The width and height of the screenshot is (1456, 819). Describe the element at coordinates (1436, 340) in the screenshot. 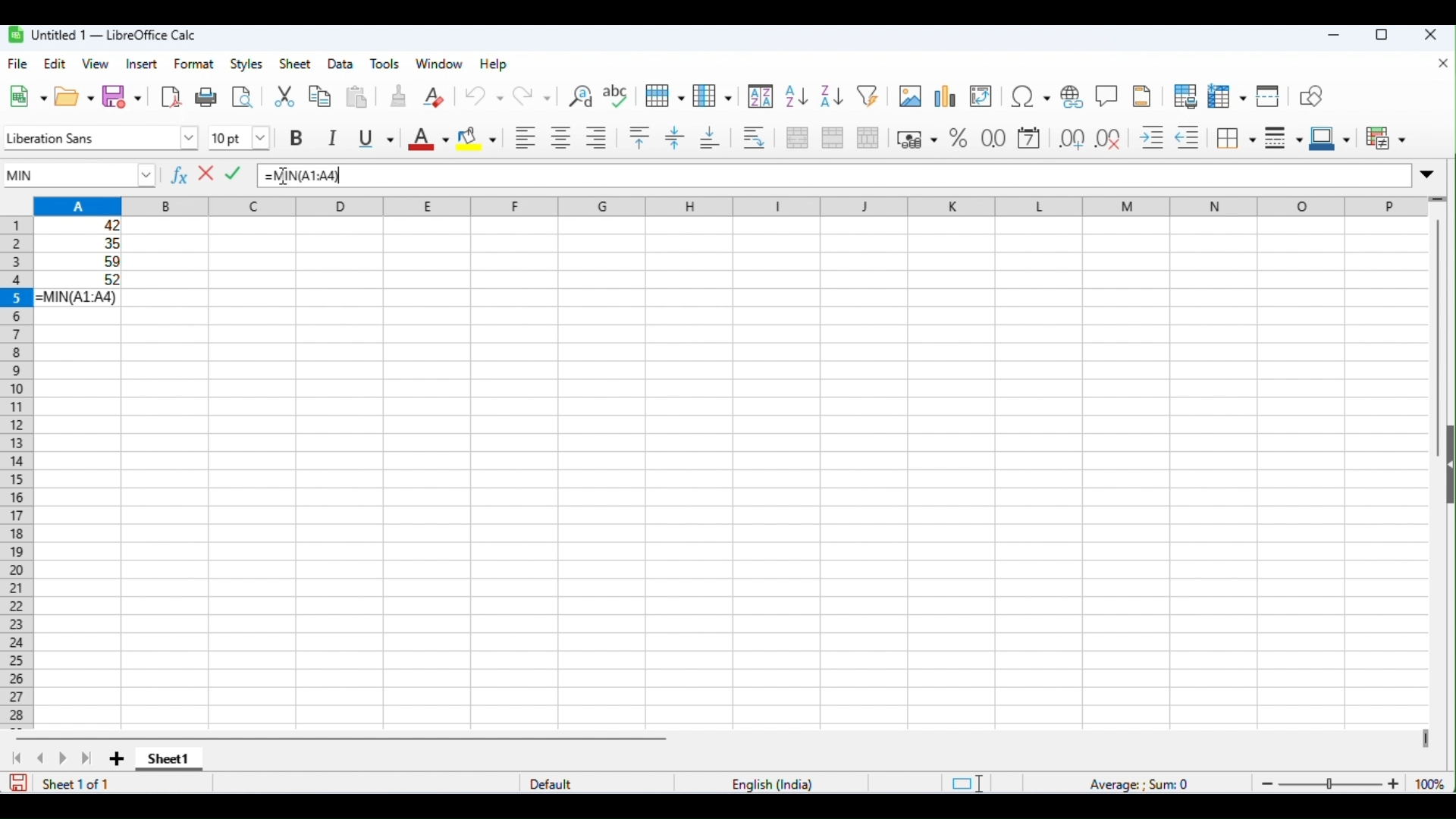

I see `vertical scroll bar` at that location.